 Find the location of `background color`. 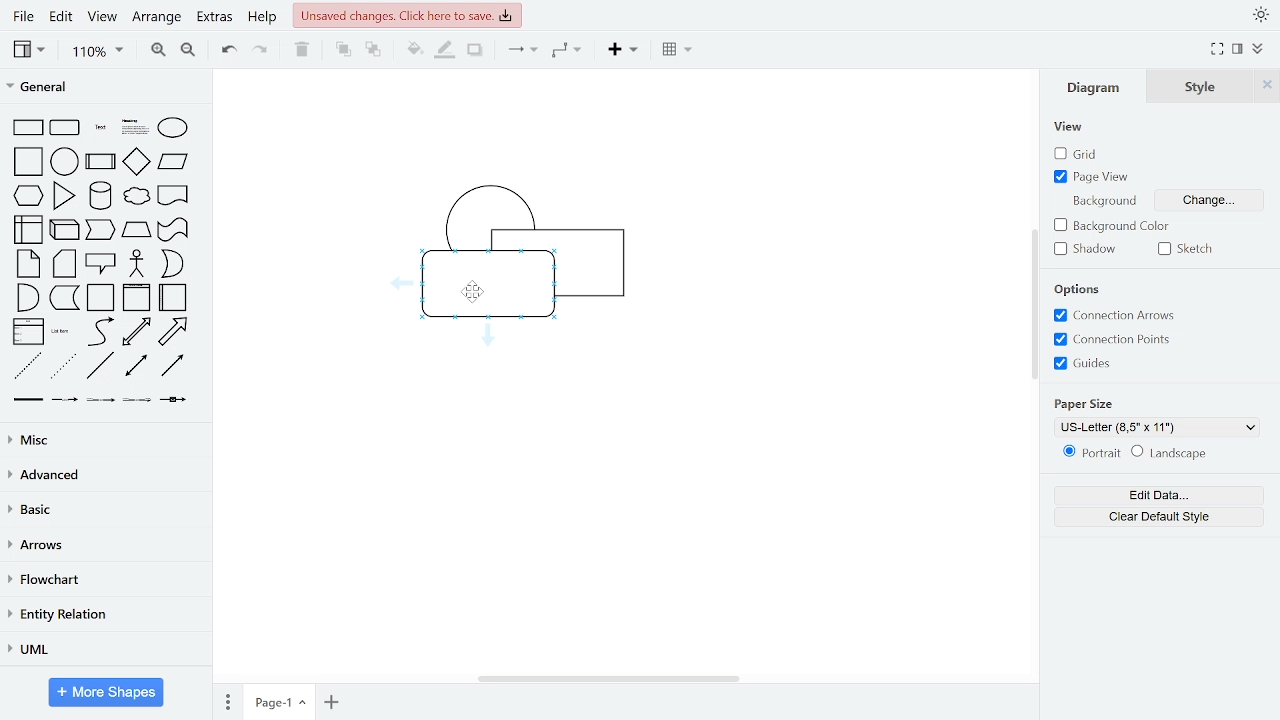

background color is located at coordinates (1119, 226).